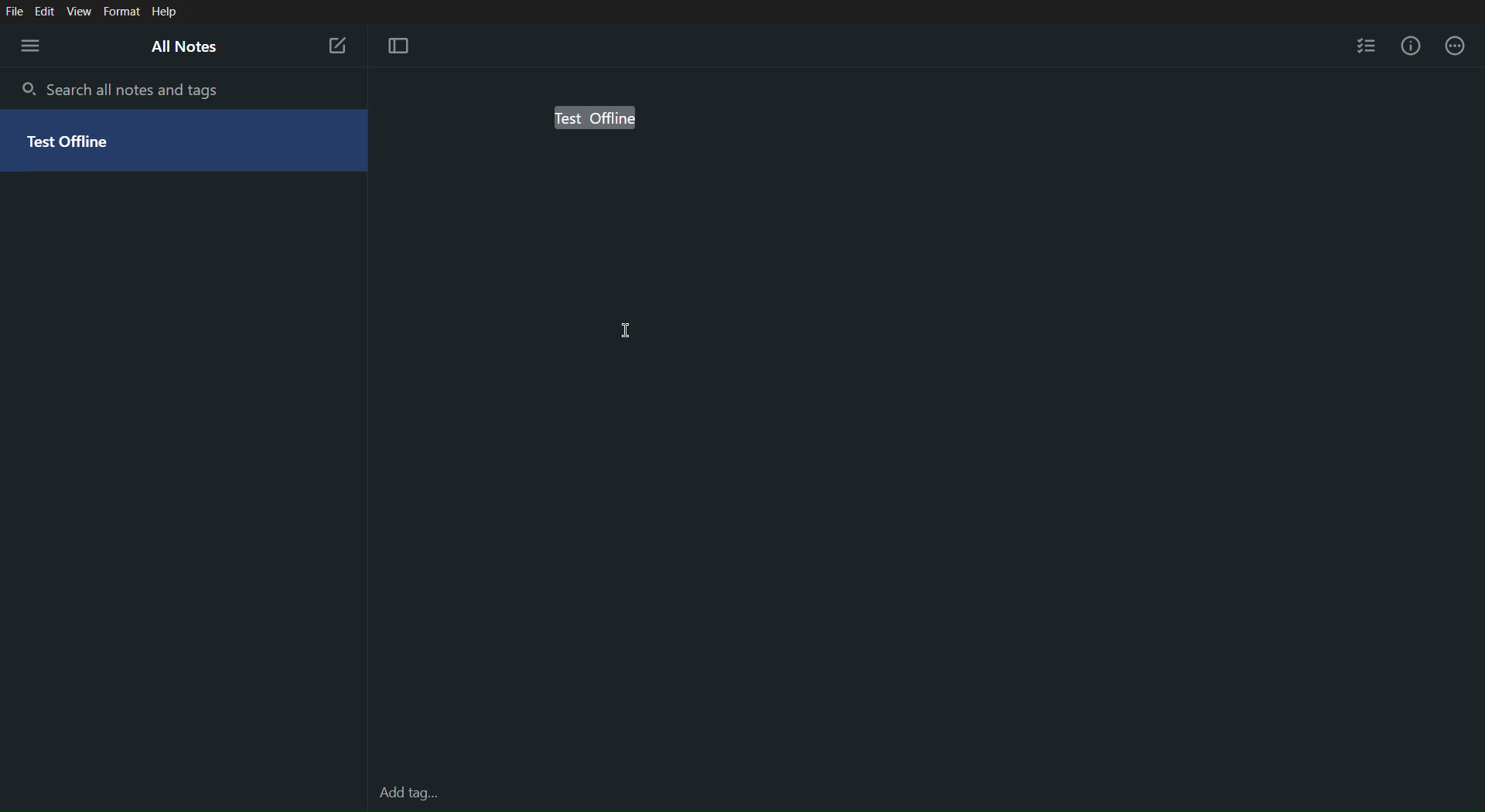  What do you see at coordinates (165, 12) in the screenshot?
I see `Help` at bounding box center [165, 12].